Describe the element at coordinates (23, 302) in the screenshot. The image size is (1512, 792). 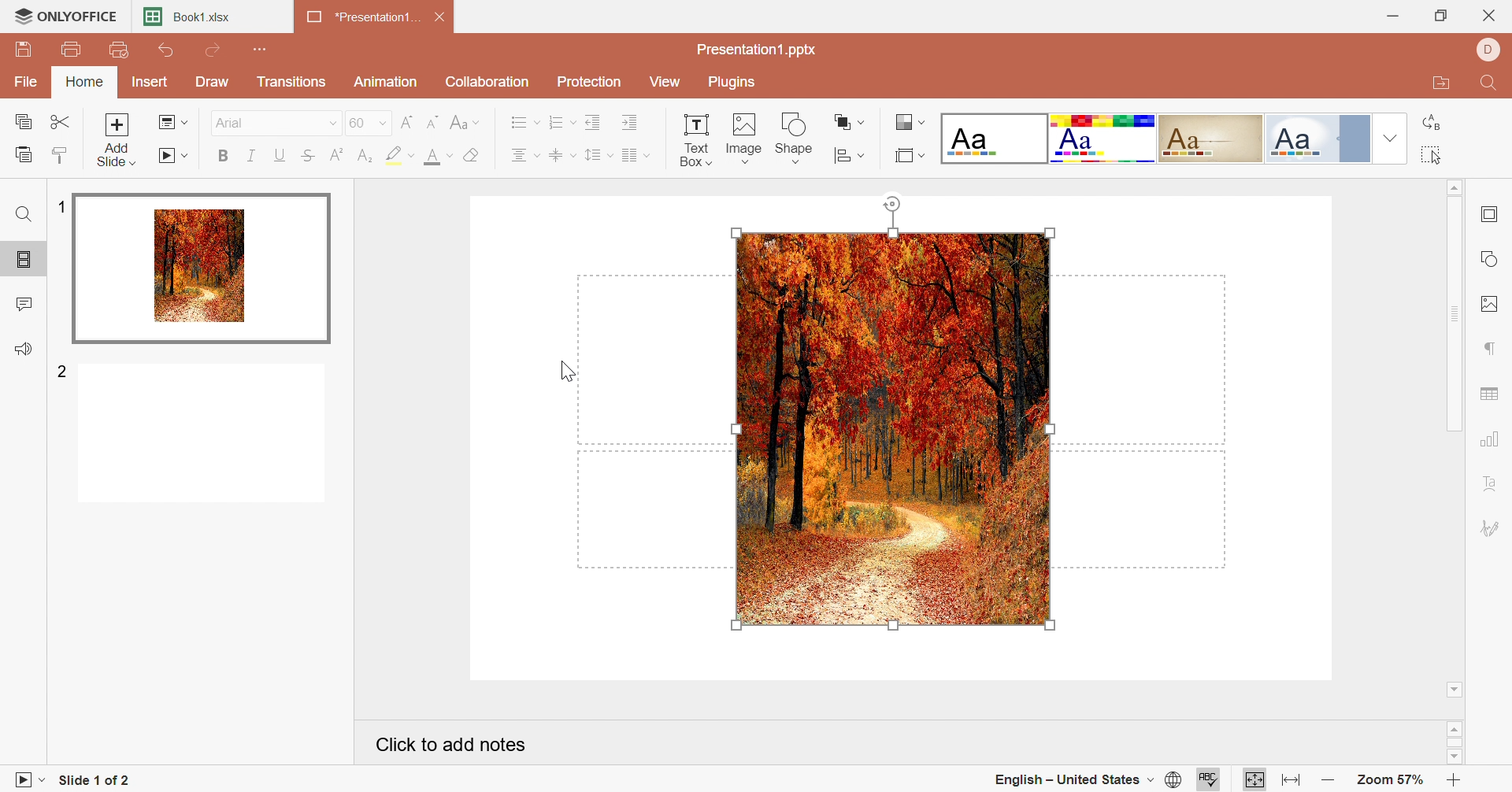
I see `Comments` at that location.